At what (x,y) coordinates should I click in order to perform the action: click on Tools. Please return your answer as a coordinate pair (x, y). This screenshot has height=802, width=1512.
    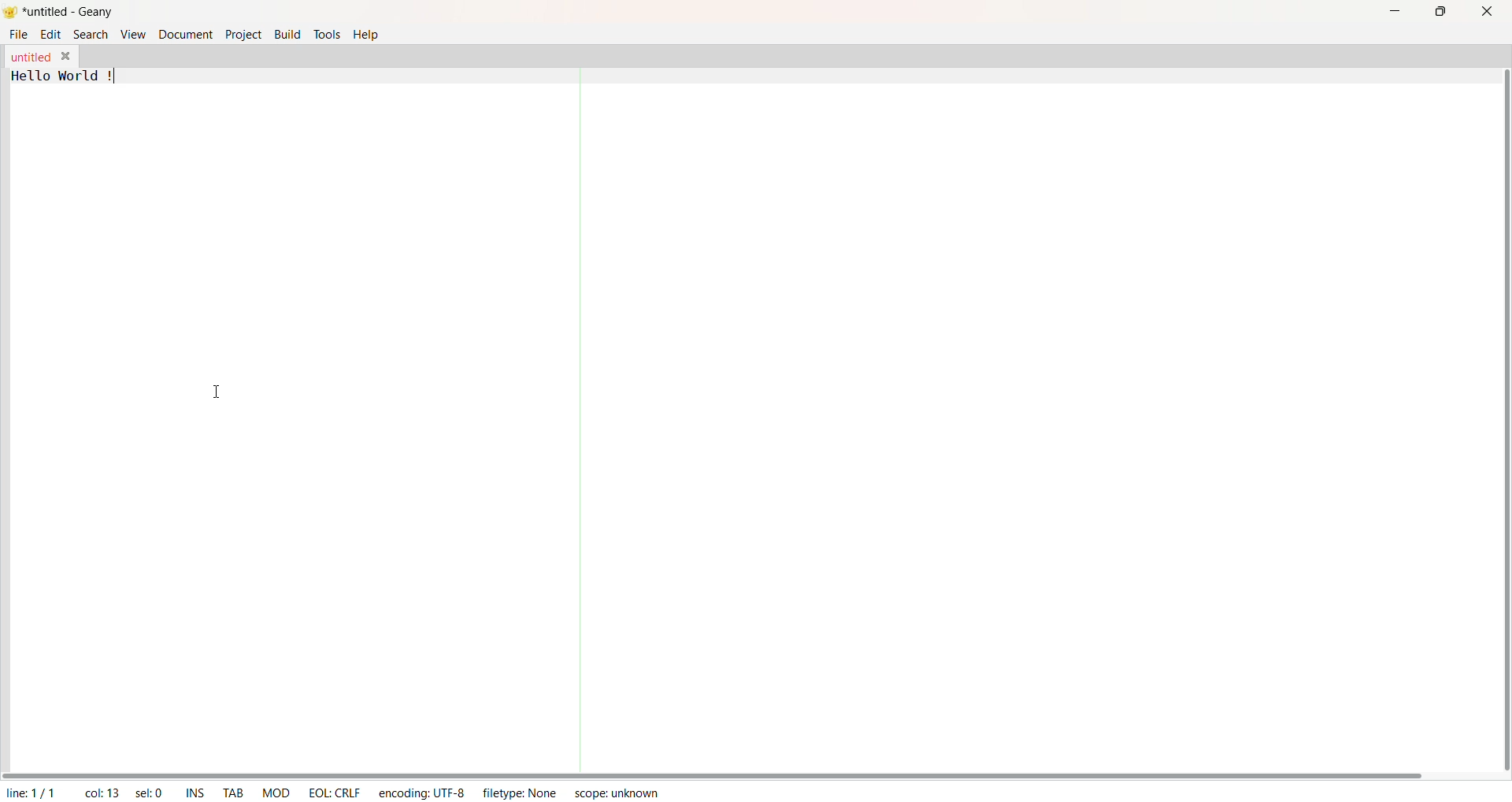
    Looking at the image, I should click on (327, 33).